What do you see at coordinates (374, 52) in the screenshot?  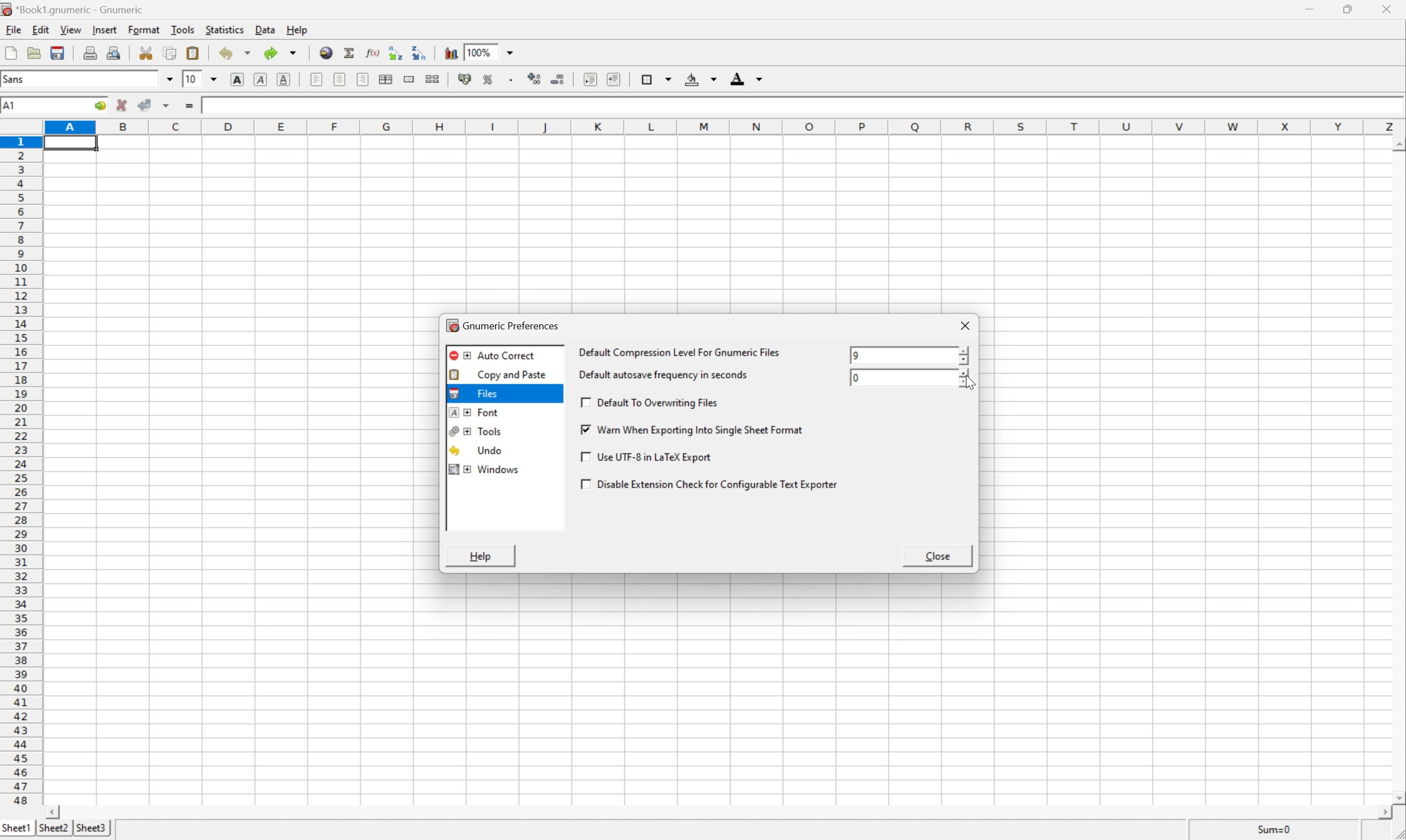 I see `edit function in current cell` at bounding box center [374, 52].